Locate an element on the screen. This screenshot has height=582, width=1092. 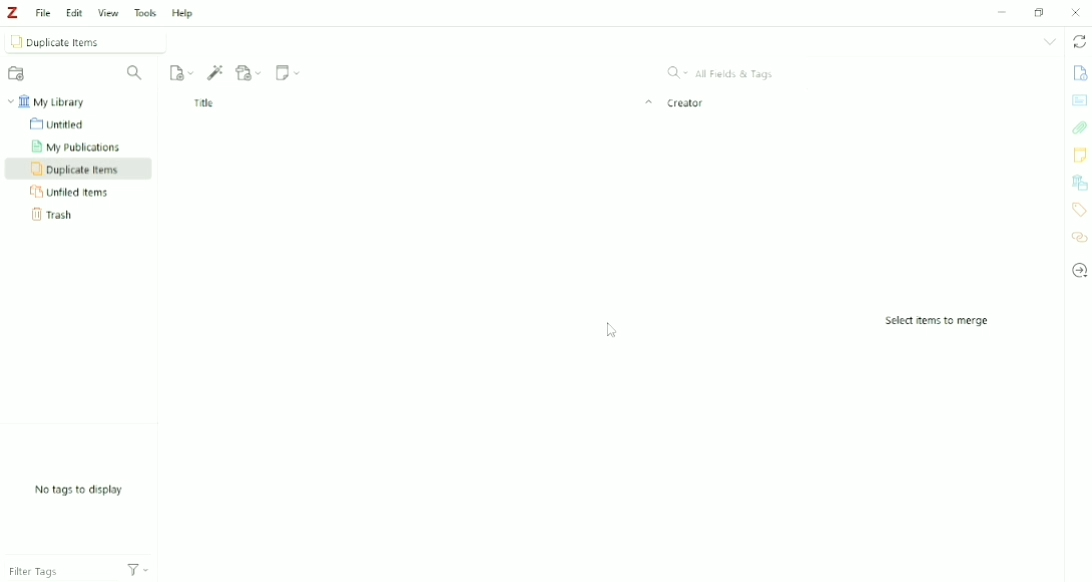
Related is located at coordinates (1078, 238).